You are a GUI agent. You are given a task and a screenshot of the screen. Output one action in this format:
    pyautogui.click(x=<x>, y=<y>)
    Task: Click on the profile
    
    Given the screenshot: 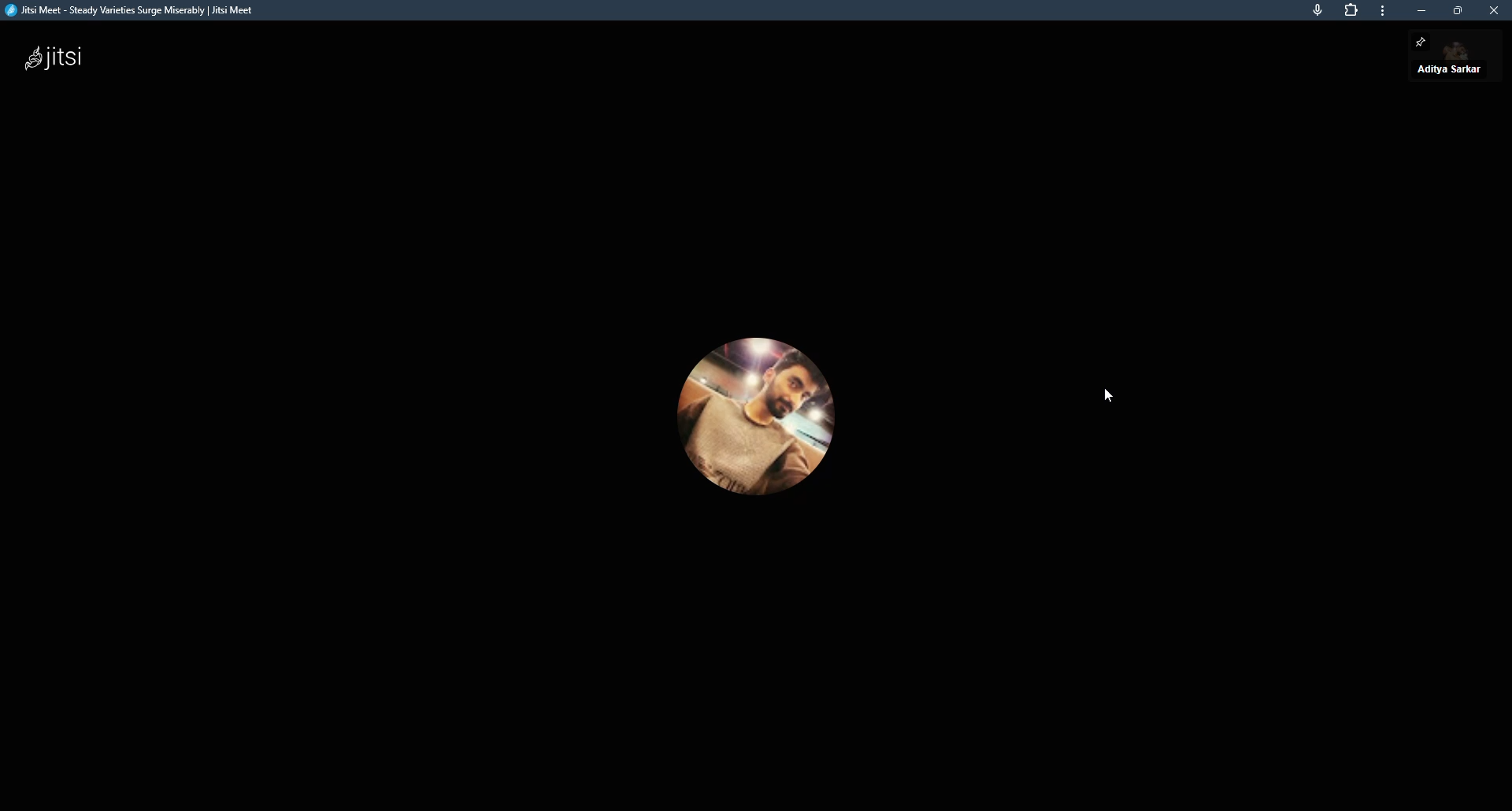 What is the action you would take?
    pyautogui.click(x=755, y=416)
    